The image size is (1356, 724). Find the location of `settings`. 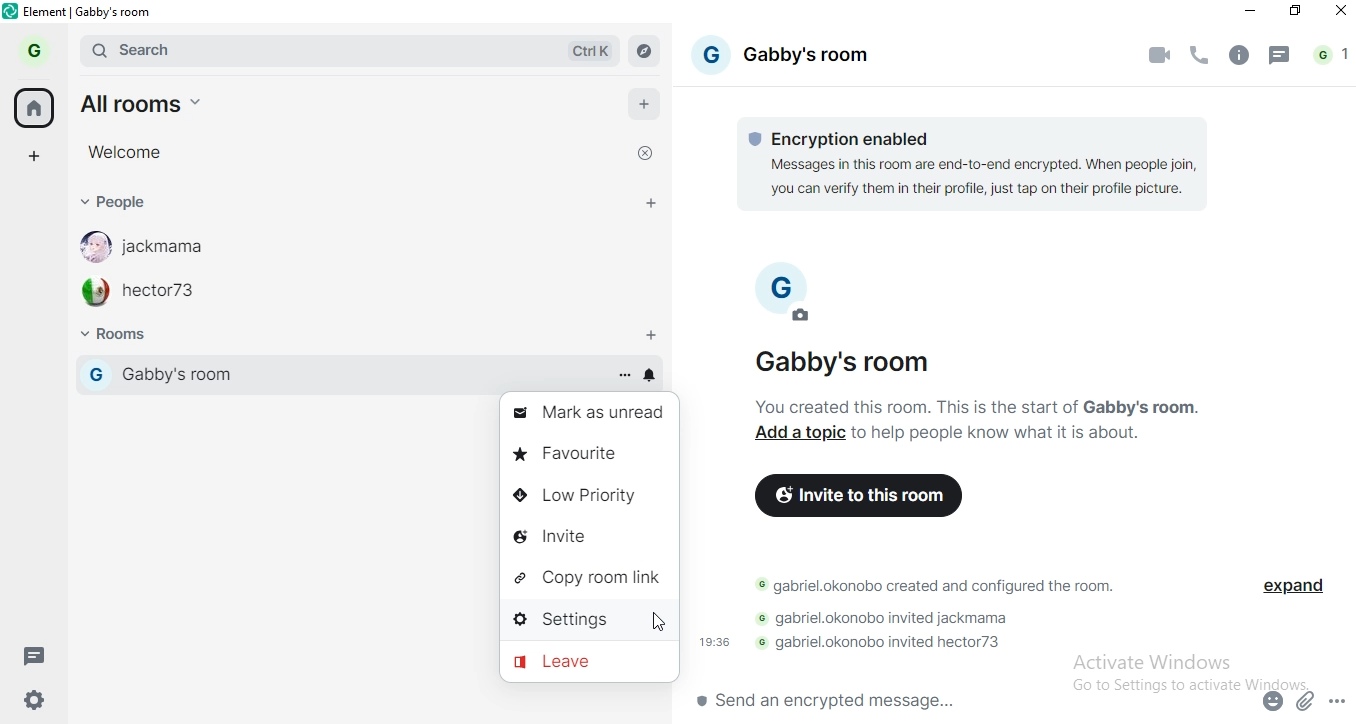

settings is located at coordinates (590, 624).